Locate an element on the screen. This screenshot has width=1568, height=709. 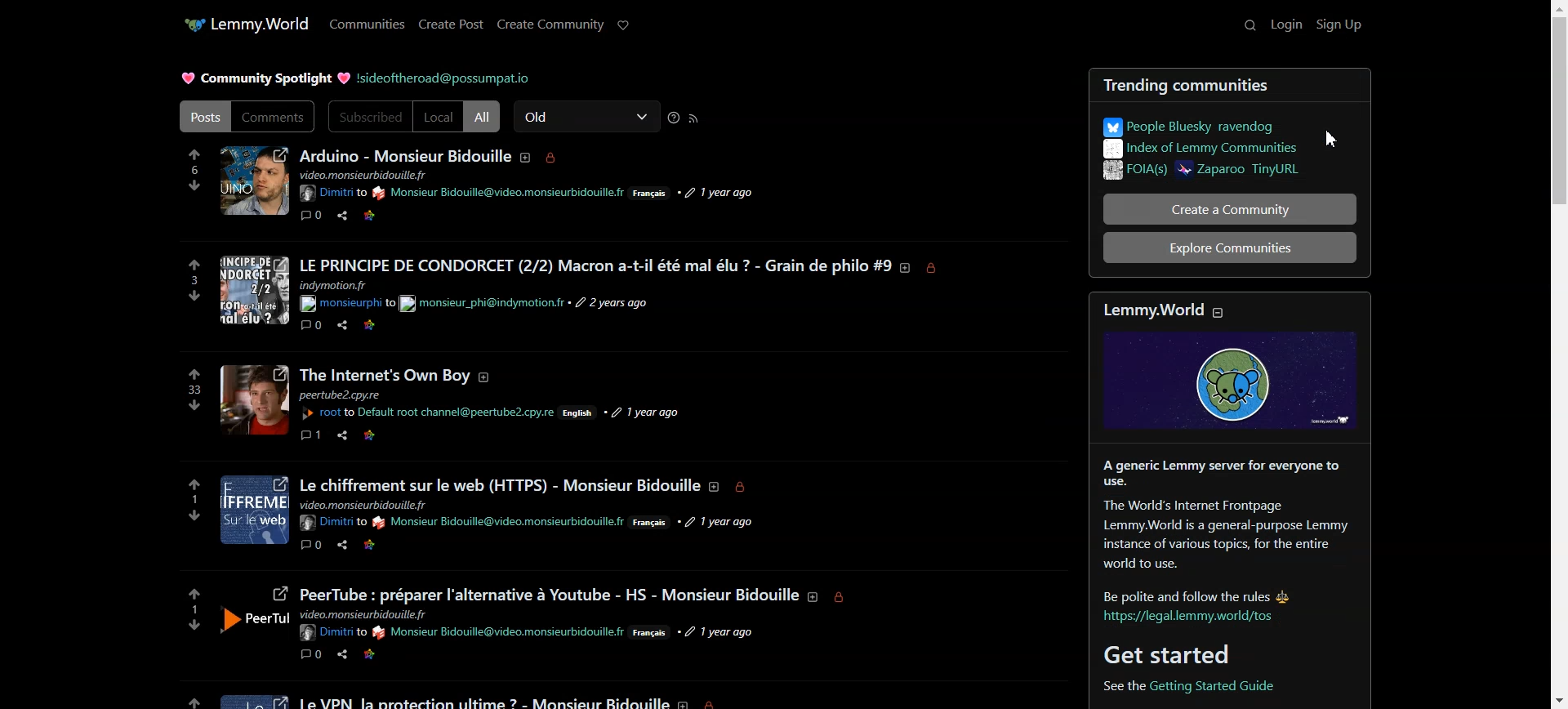
profile picture is located at coordinates (253, 512).